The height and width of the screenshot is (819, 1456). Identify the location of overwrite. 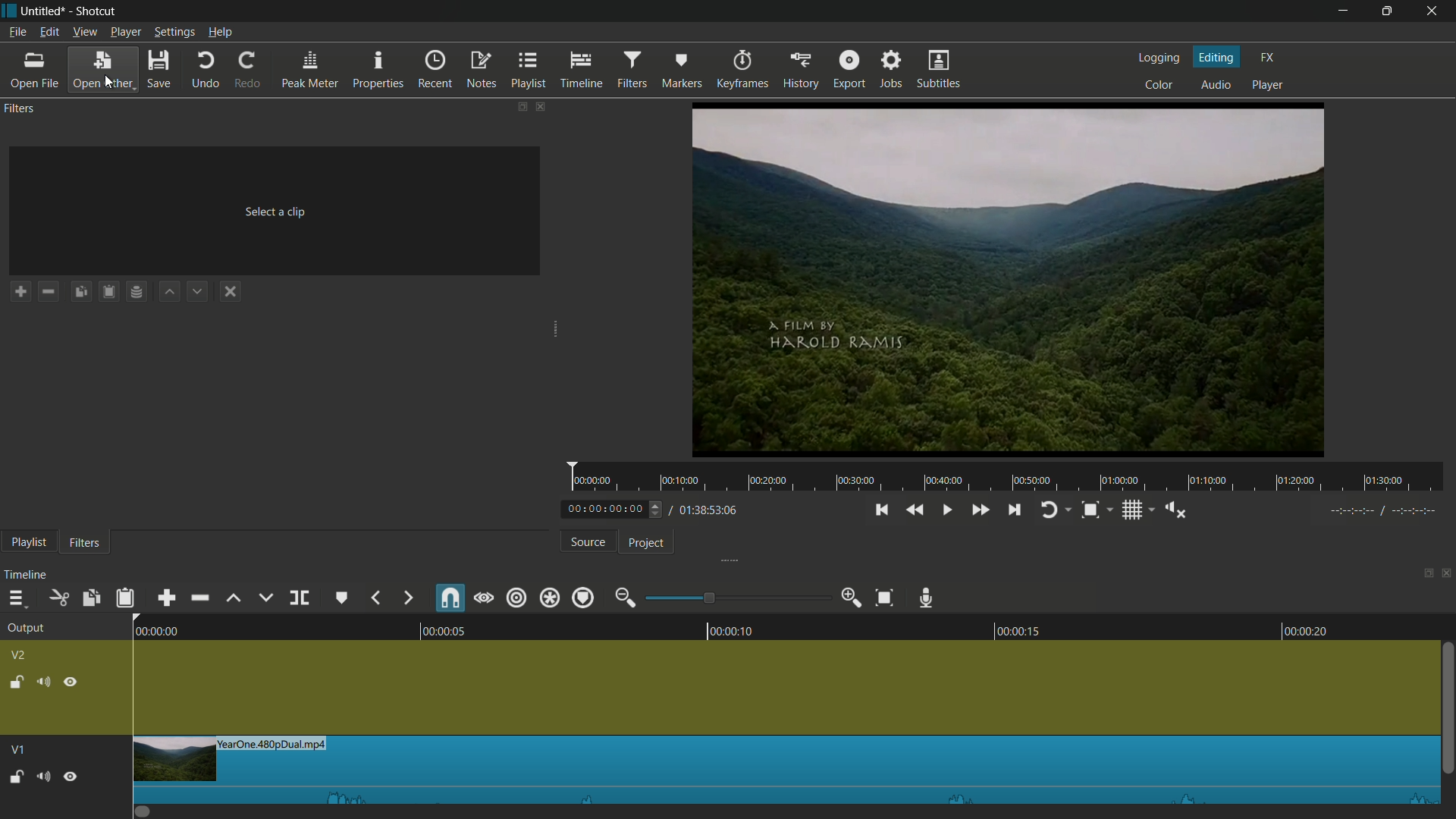
(265, 598).